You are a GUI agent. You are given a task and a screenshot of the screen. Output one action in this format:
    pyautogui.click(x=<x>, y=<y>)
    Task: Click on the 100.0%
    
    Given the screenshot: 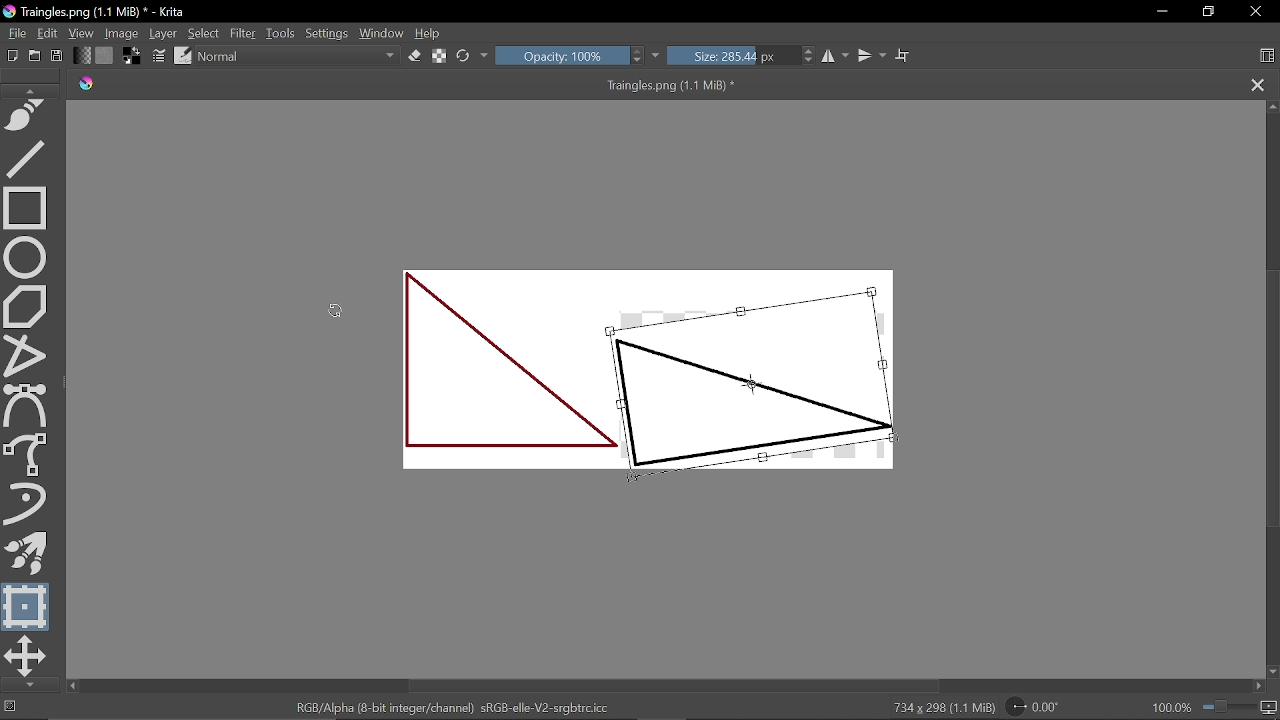 What is the action you would take?
    pyautogui.click(x=1215, y=707)
    